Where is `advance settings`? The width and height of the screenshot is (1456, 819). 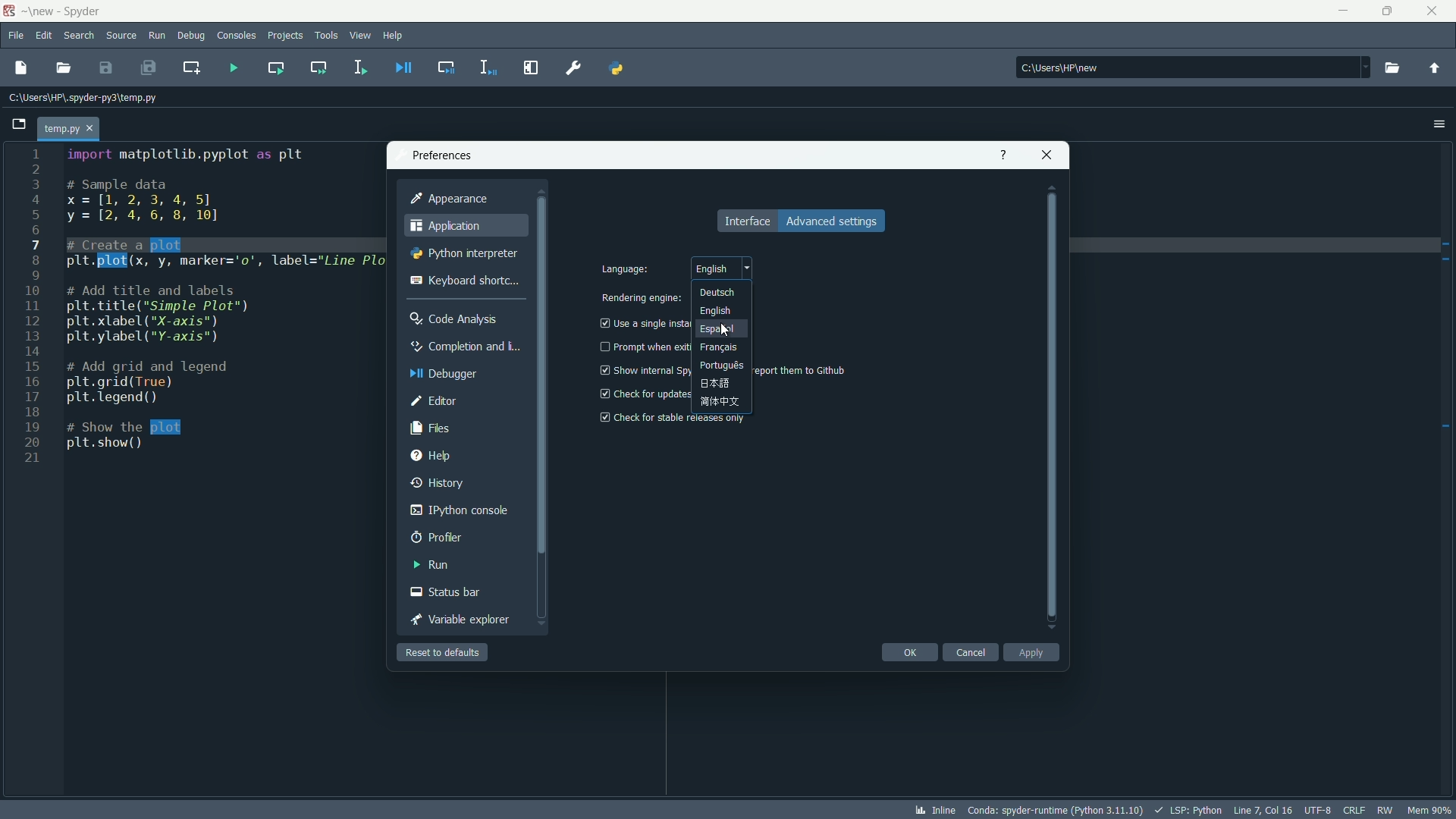
advance settings is located at coordinates (832, 221).